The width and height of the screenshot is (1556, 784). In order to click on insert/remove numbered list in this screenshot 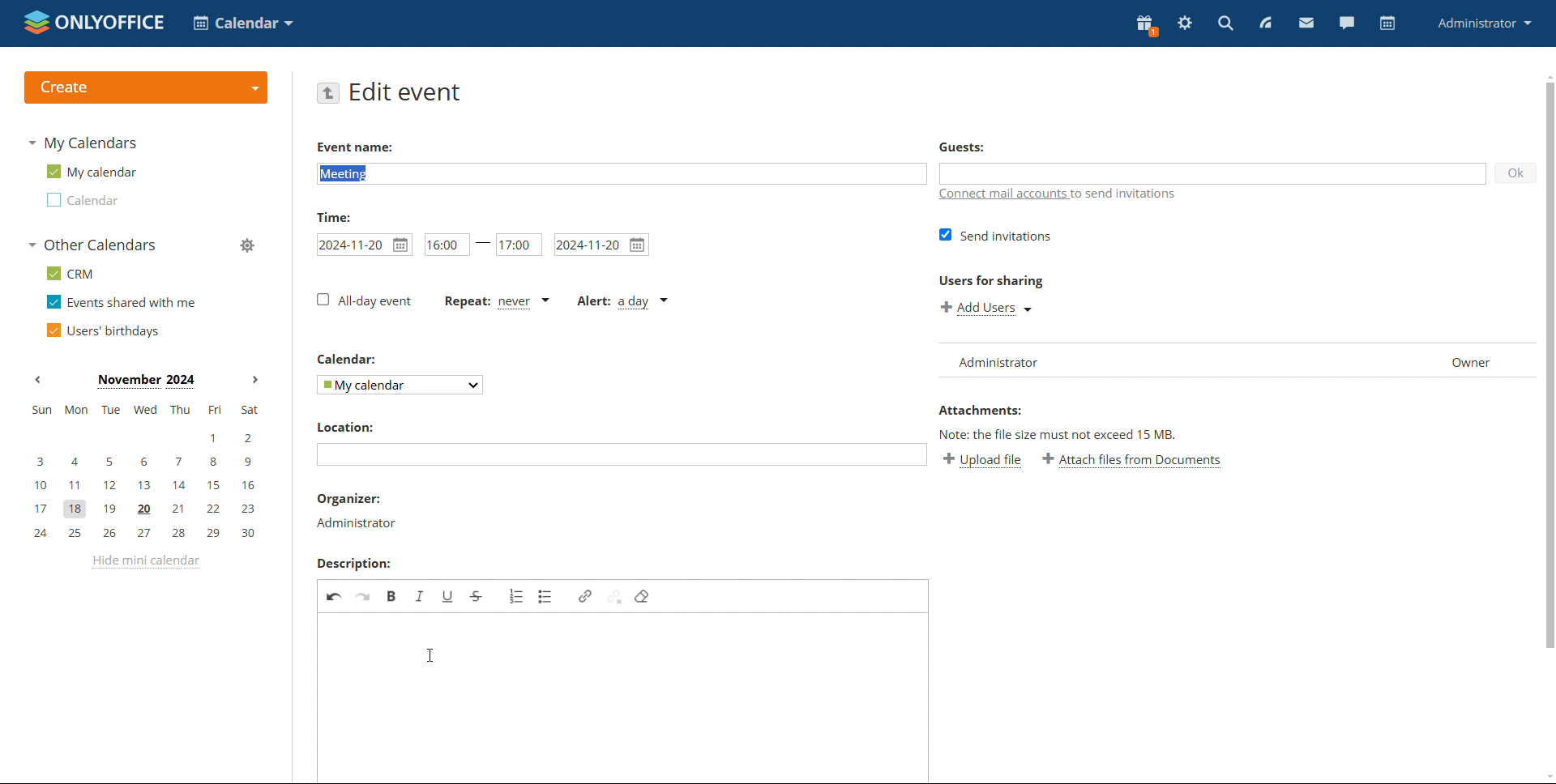, I will do `click(517, 596)`.